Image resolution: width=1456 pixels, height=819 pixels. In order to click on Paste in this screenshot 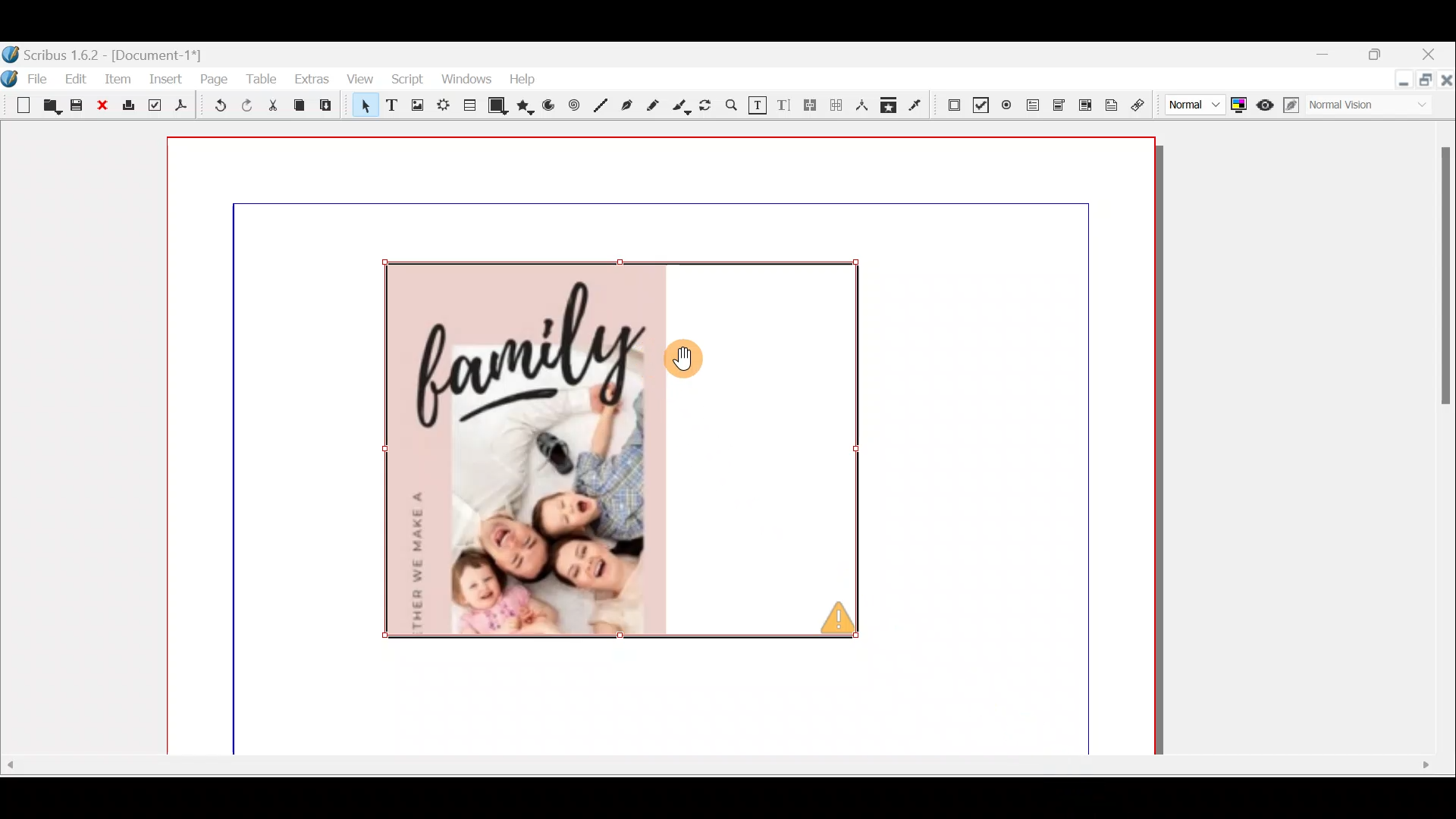, I will do `click(329, 107)`.